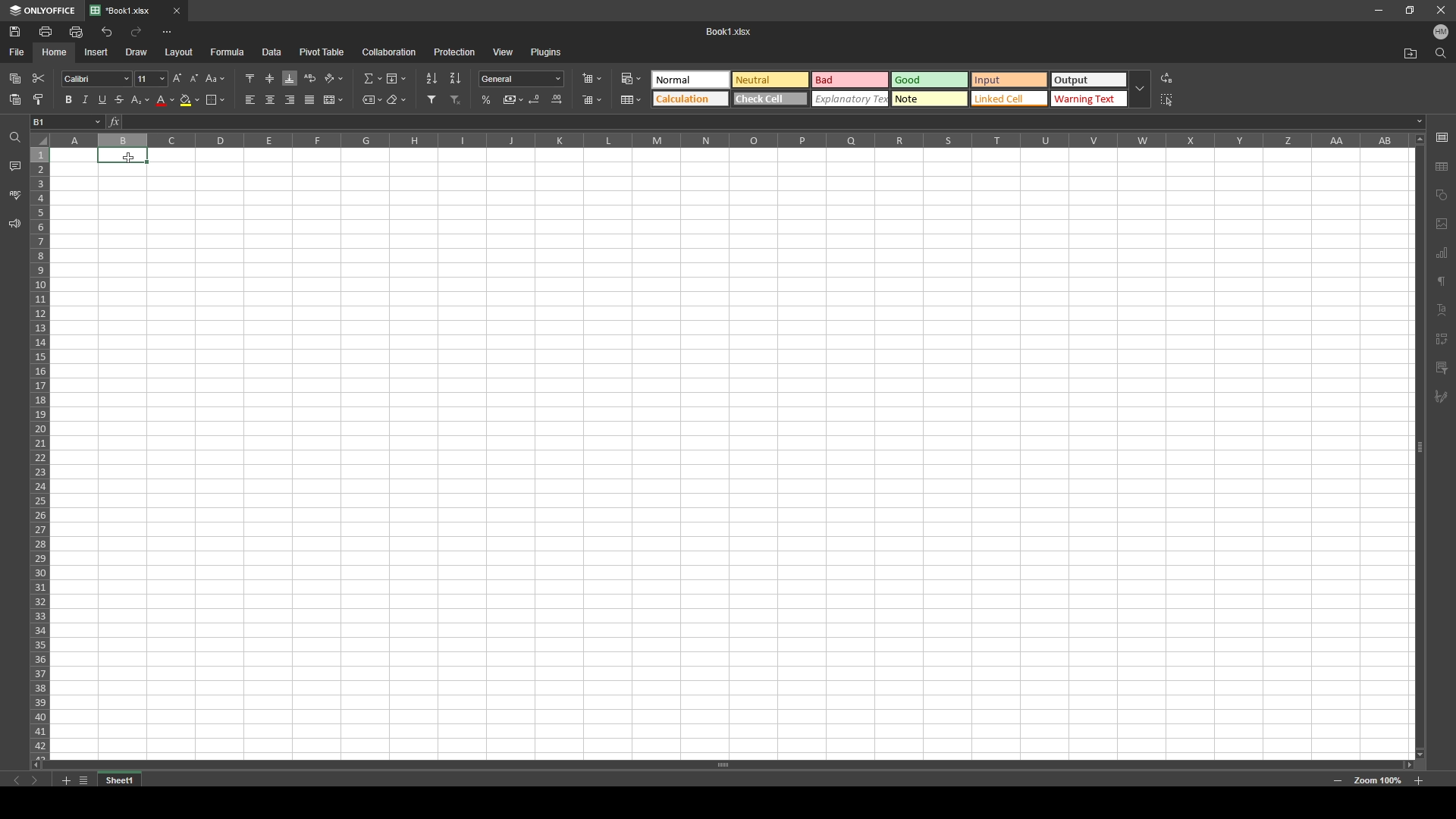  I want to click on Bad, so click(849, 79).